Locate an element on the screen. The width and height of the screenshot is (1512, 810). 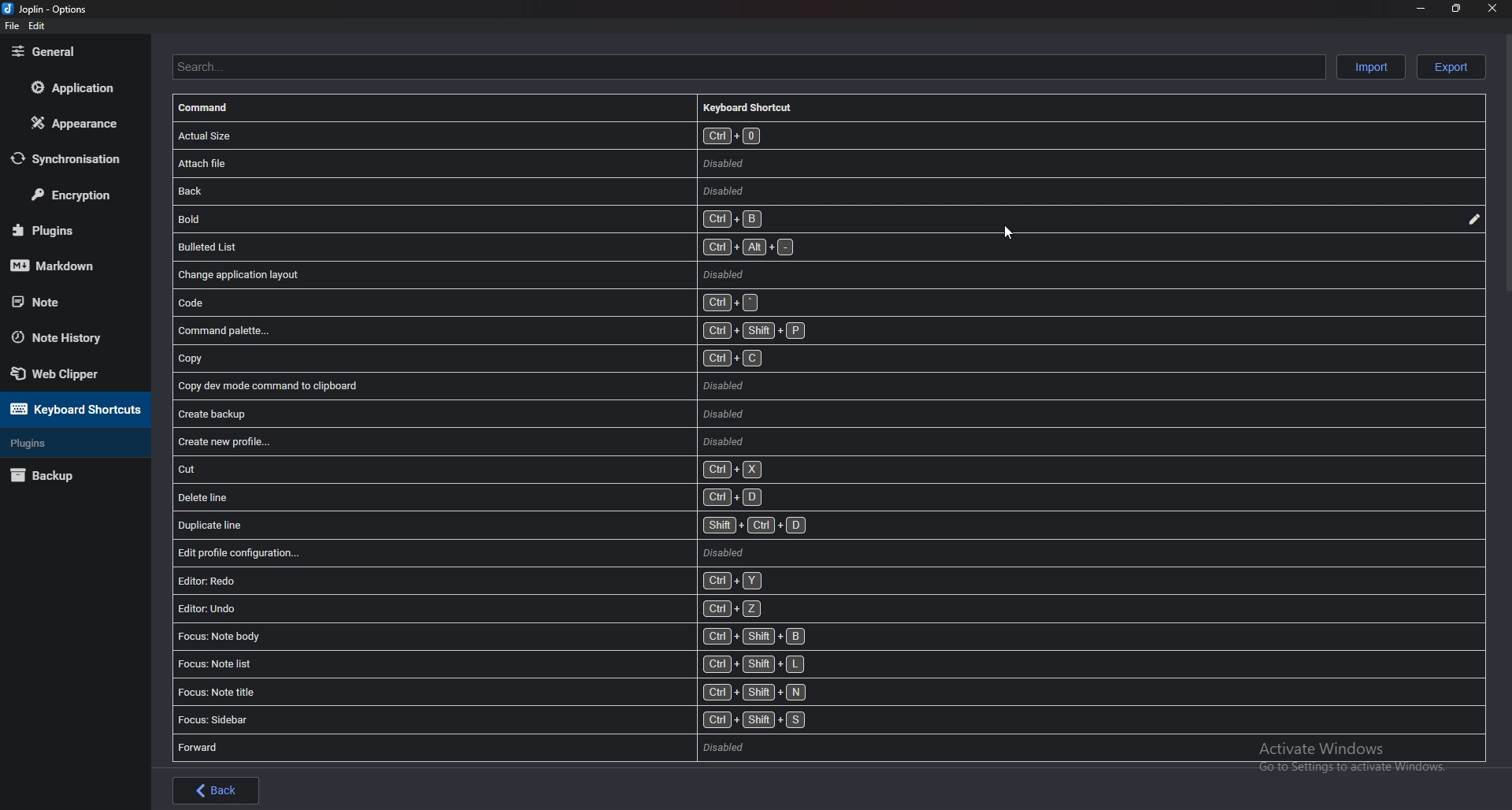
Import is located at coordinates (1370, 66).